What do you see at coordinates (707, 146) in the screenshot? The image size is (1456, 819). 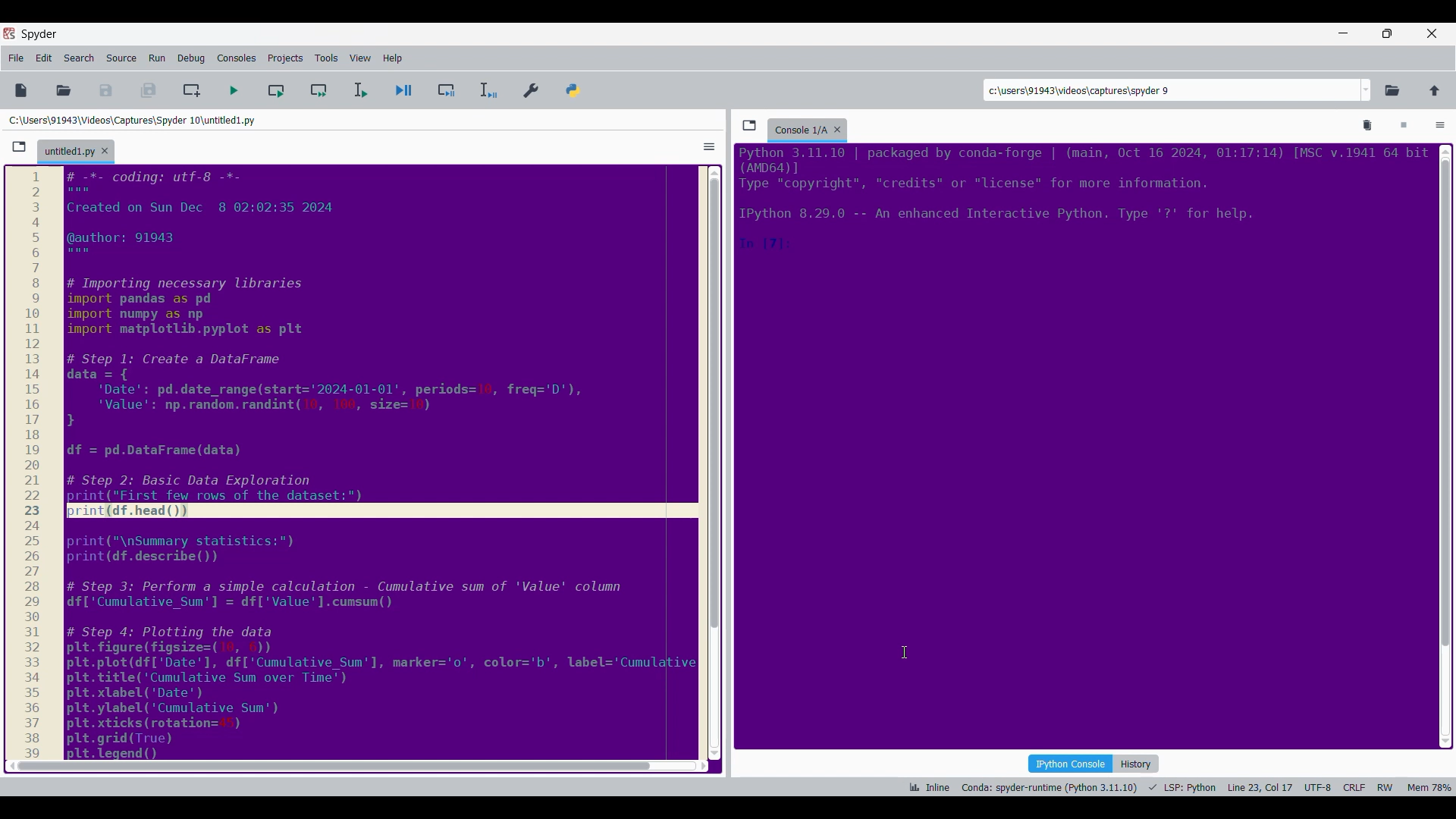 I see `more options` at bounding box center [707, 146].